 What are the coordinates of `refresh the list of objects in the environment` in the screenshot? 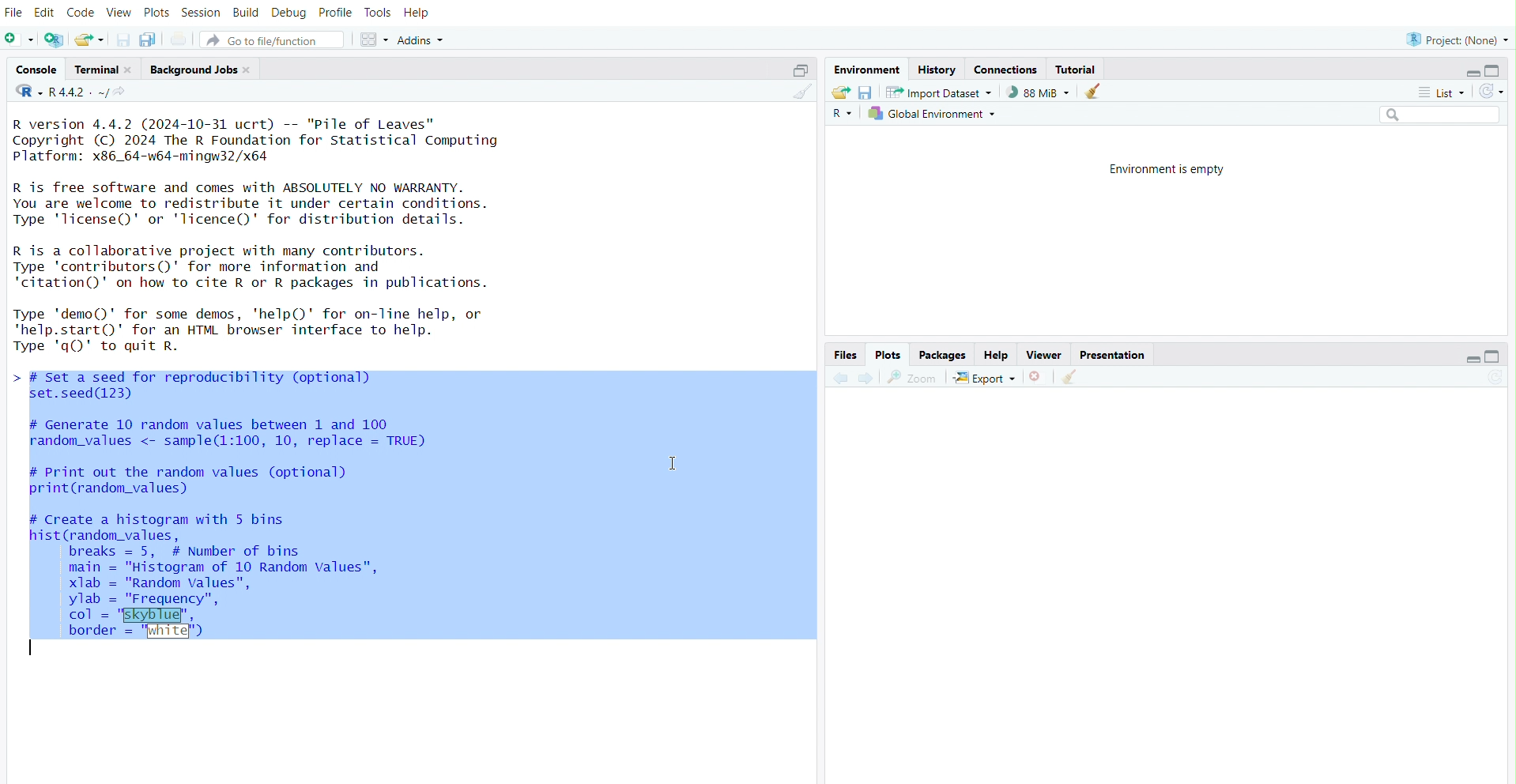 It's located at (1497, 92).